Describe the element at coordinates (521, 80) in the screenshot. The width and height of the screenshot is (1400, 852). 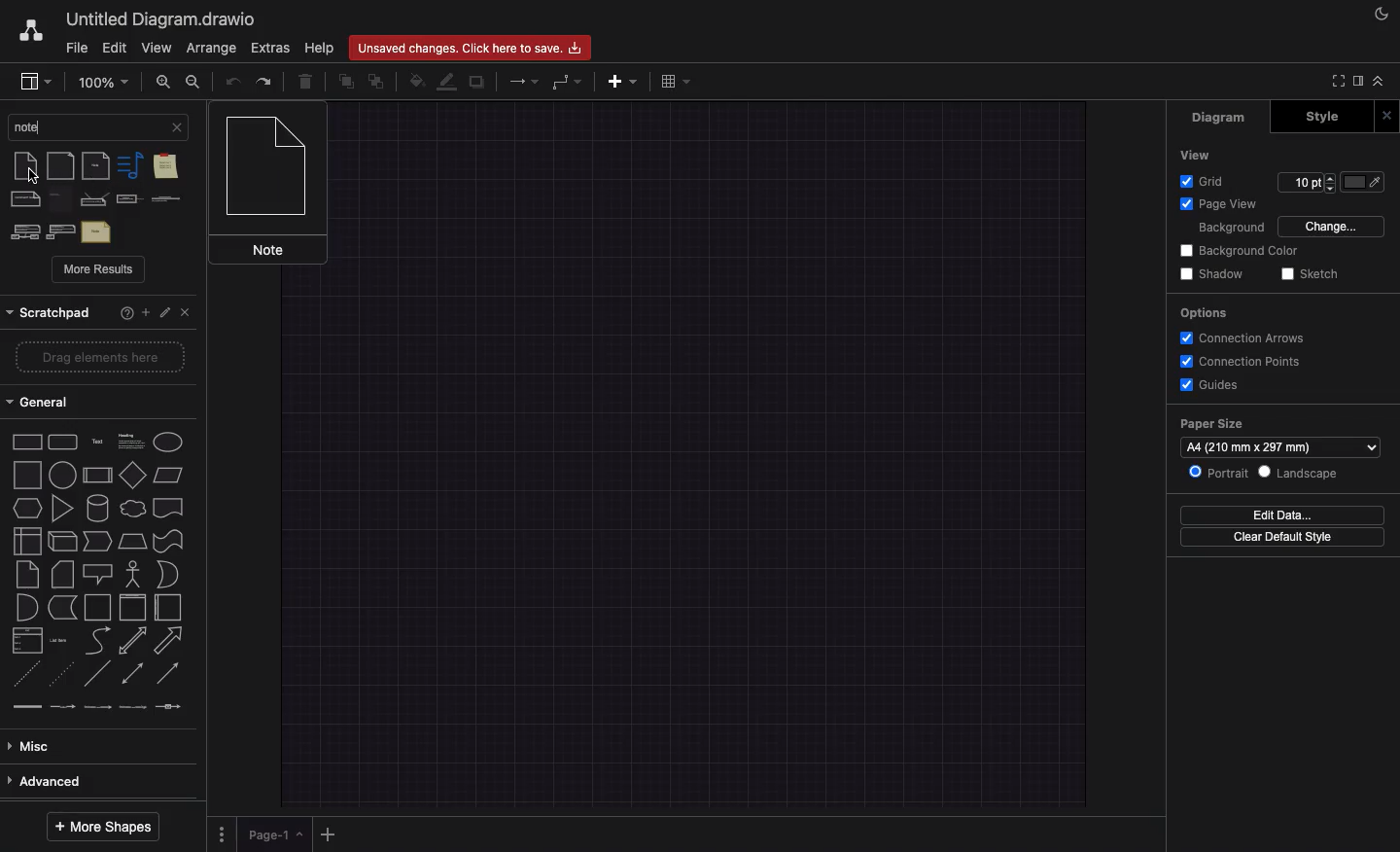
I see `Arrows` at that location.